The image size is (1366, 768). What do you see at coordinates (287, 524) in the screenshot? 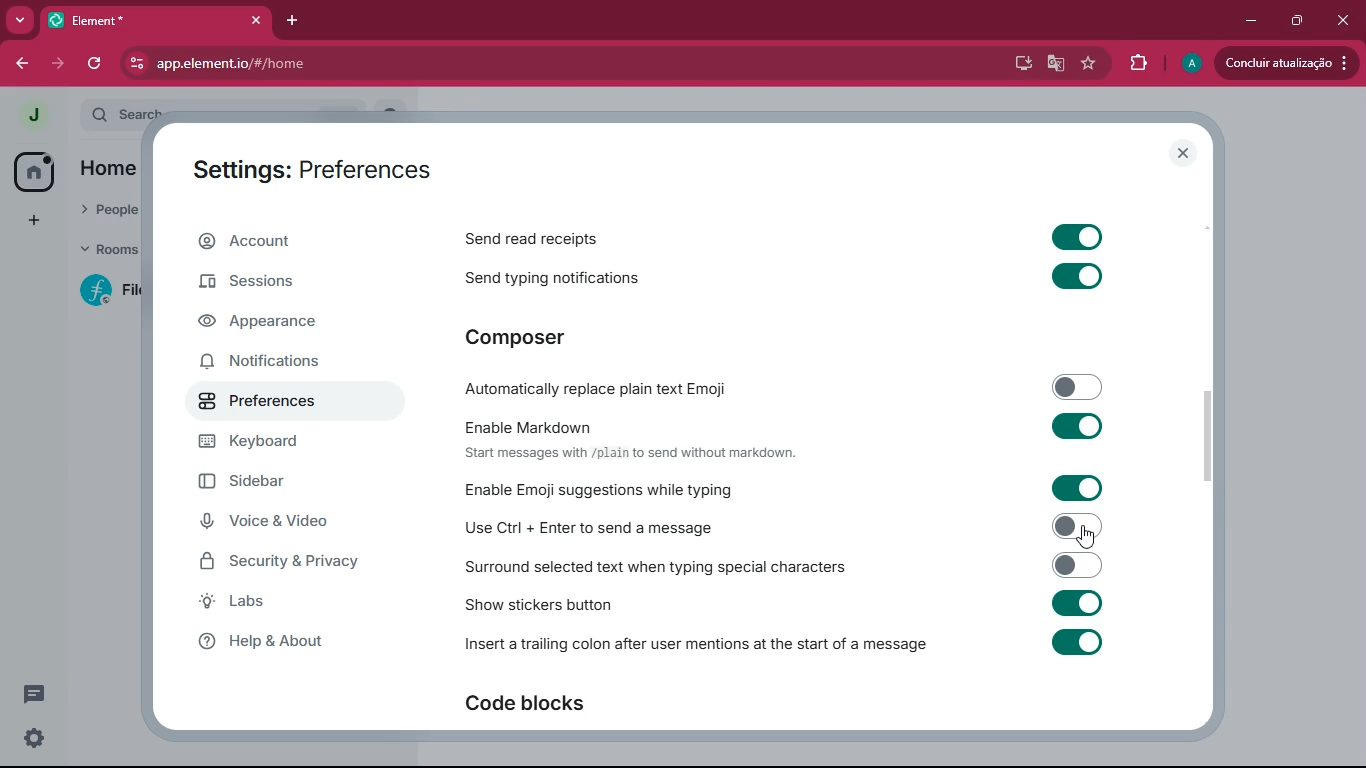
I see `voice` at bounding box center [287, 524].